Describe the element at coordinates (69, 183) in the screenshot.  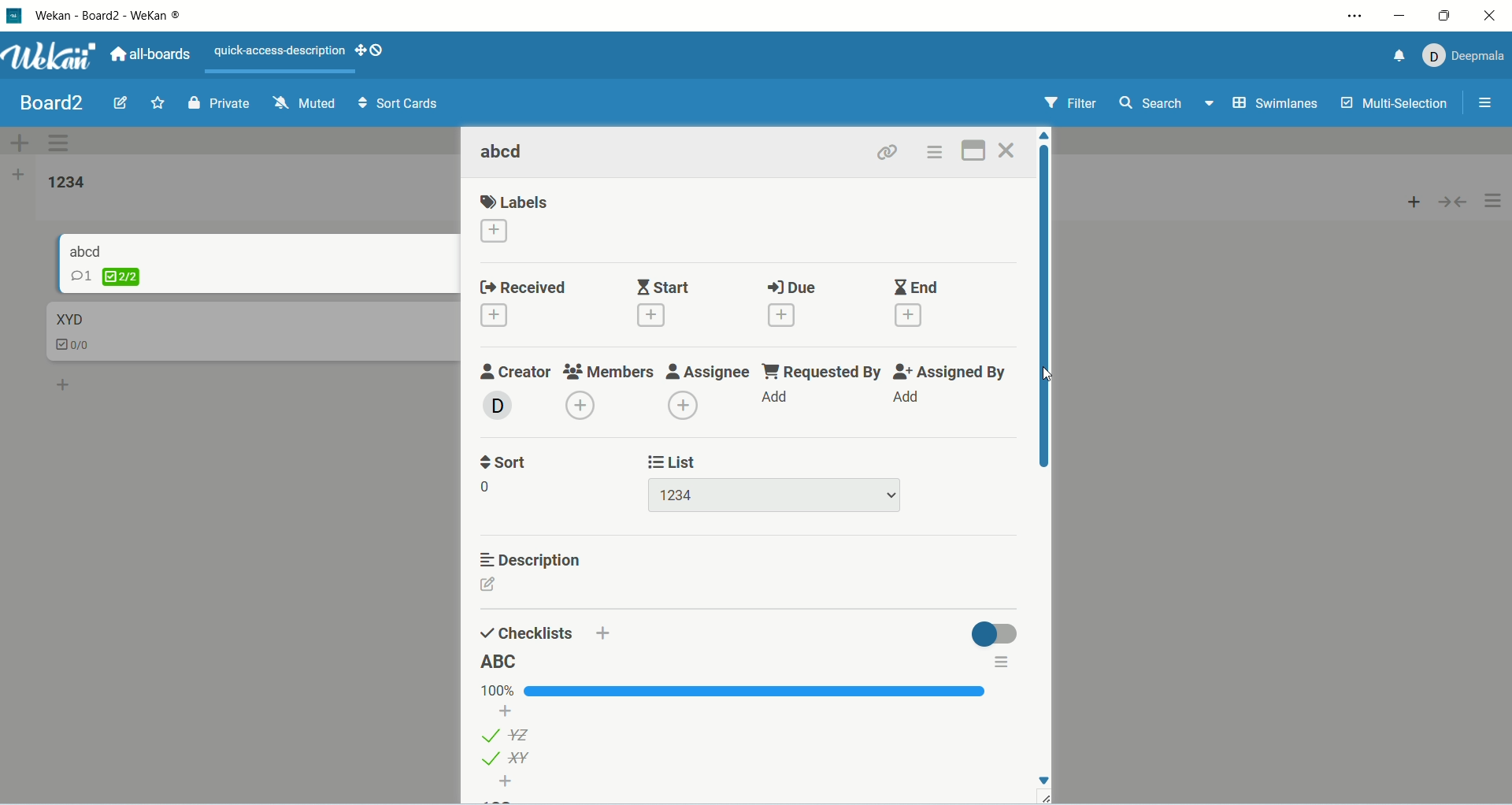
I see `list title` at that location.